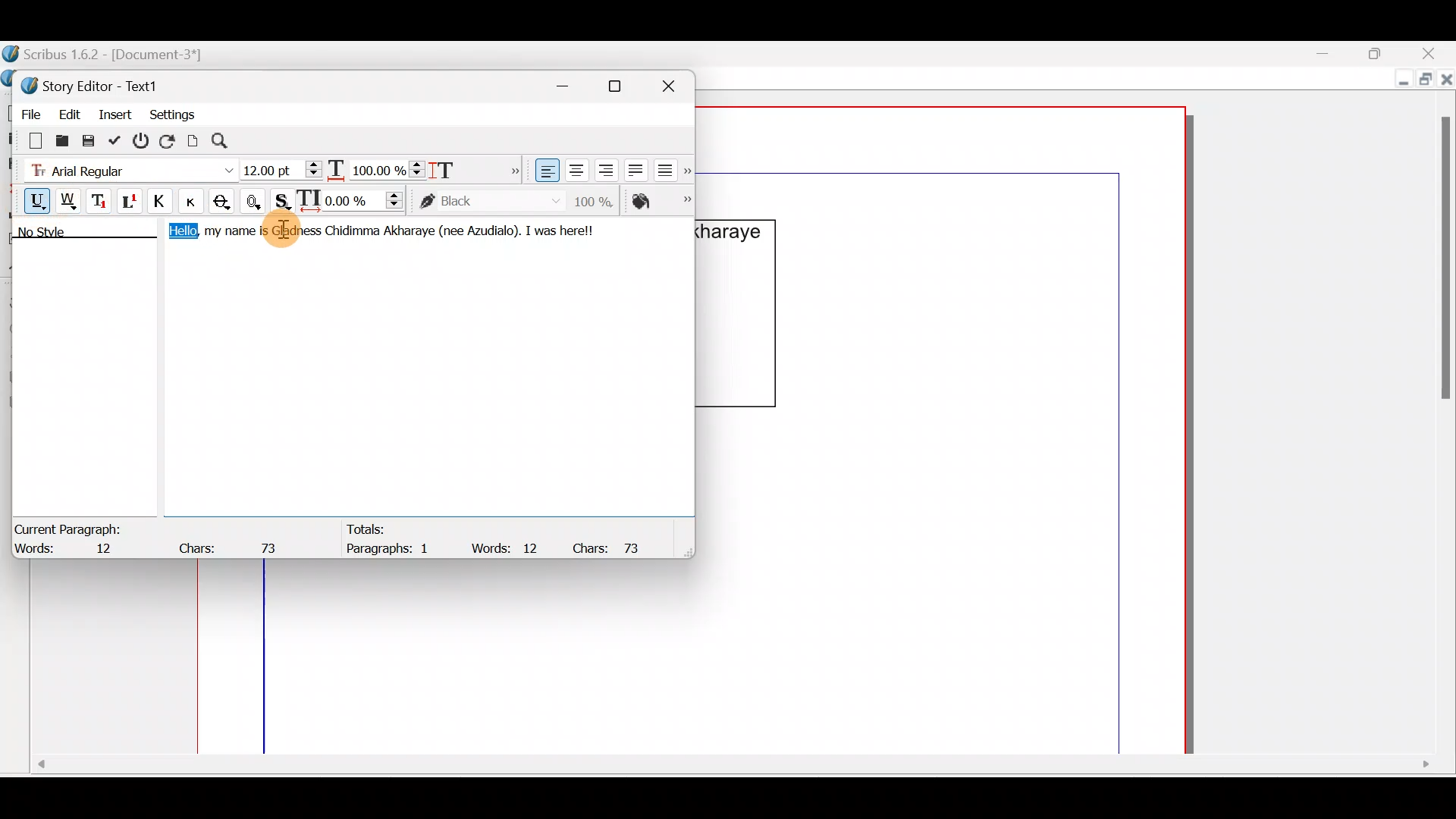  What do you see at coordinates (575, 168) in the screenshot?
I see `Align text center` at bounding box center [575, 168].